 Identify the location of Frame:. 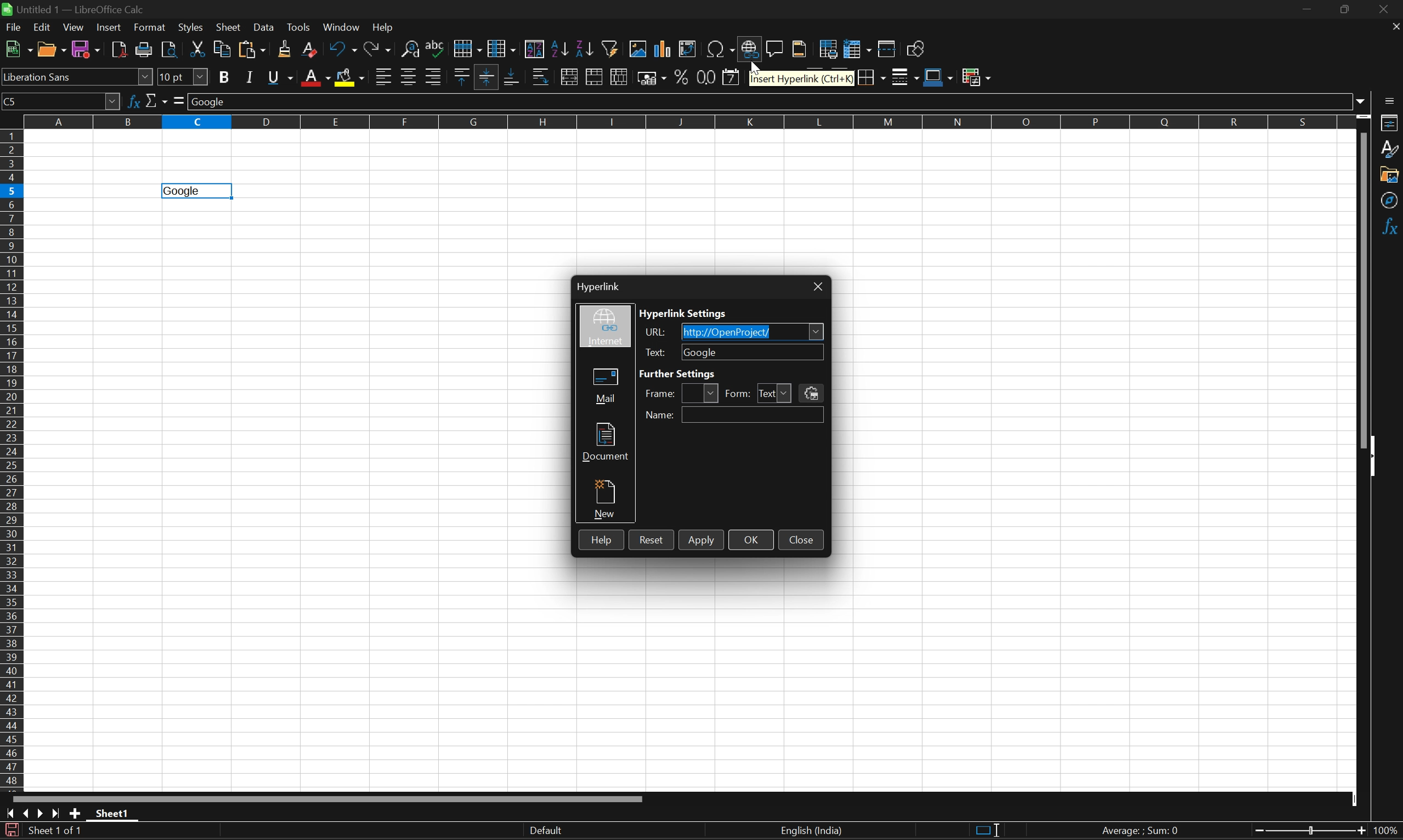
(661, 394).